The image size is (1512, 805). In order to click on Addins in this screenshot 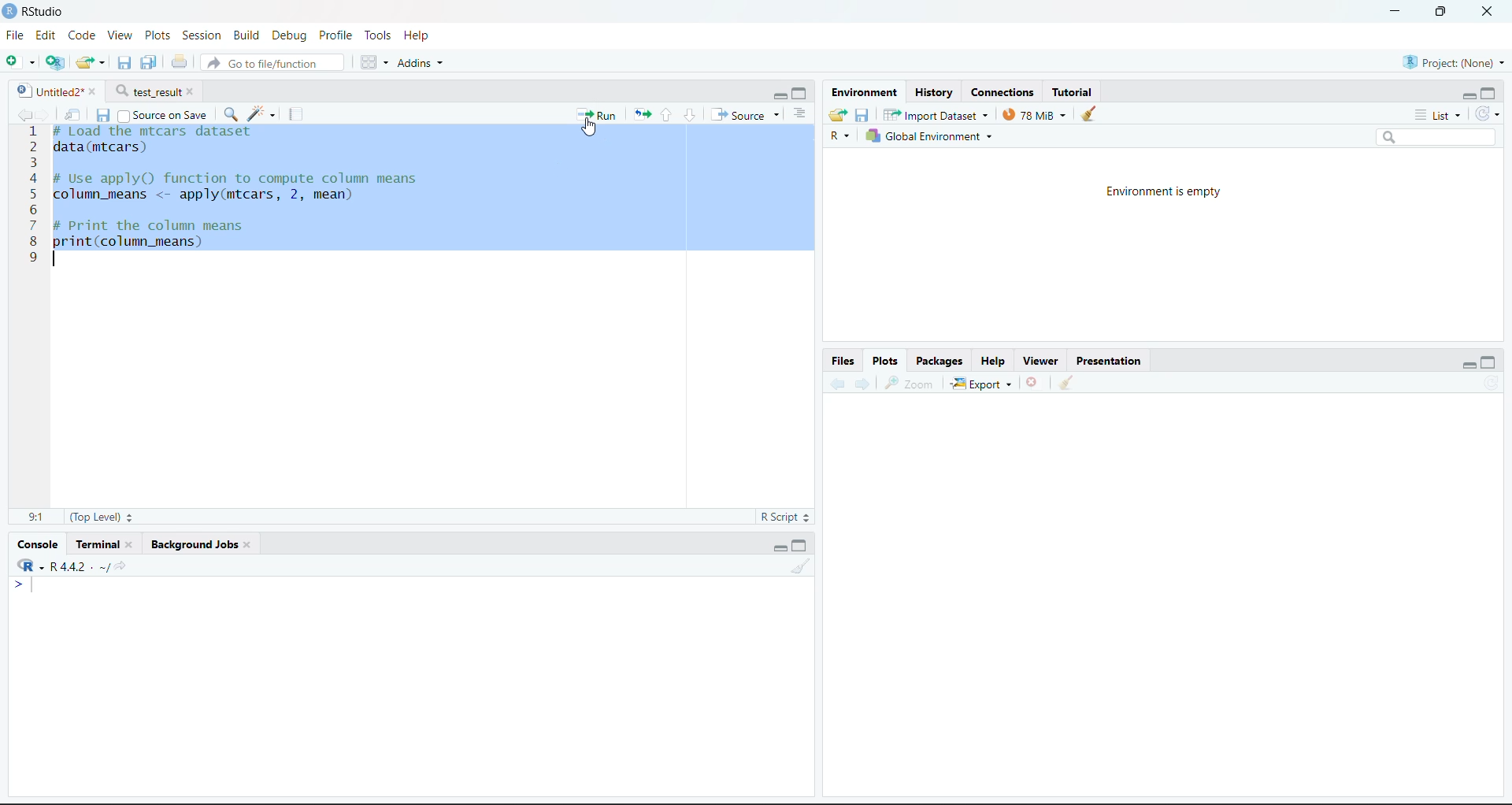, I will do `click(422, 63)`.